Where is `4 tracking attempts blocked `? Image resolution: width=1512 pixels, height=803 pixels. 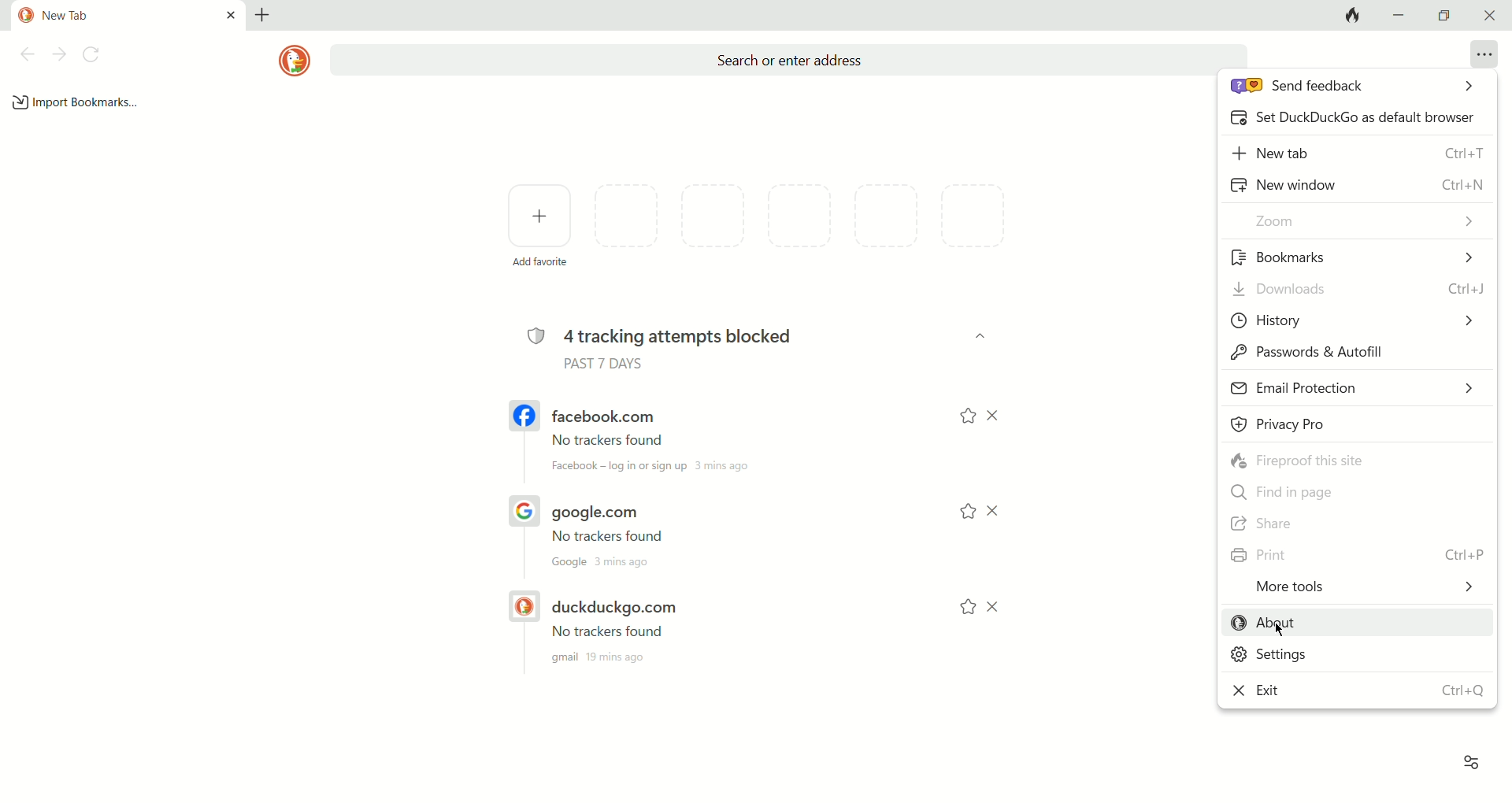
4 tracking attempts blocked  is located at coordinates (673, 335).